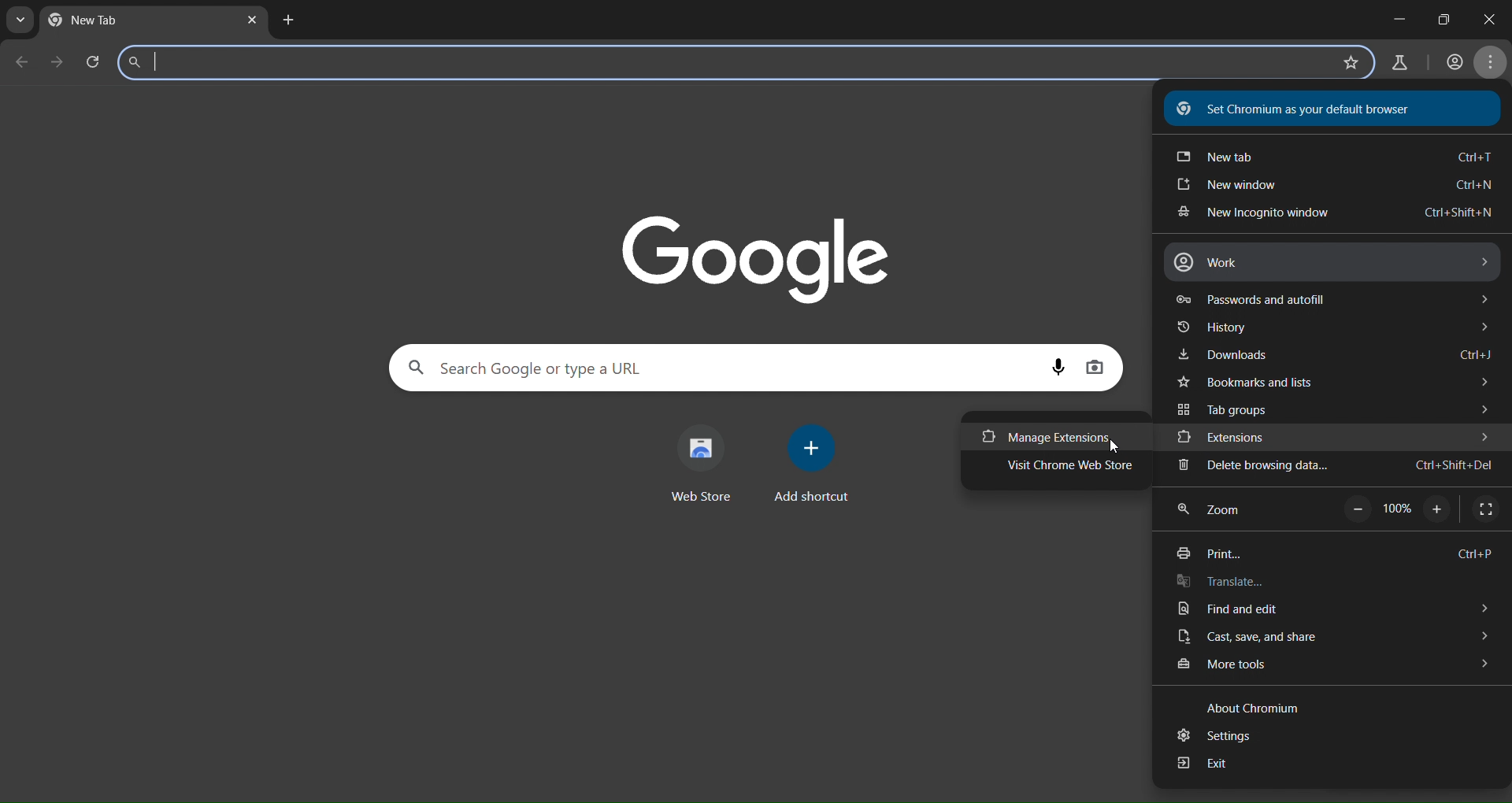 The width and height of the screenshot is (1512, 803). Describe the element at coordinates (1333, 154) in the screenshot. I see `new tab` at that location.